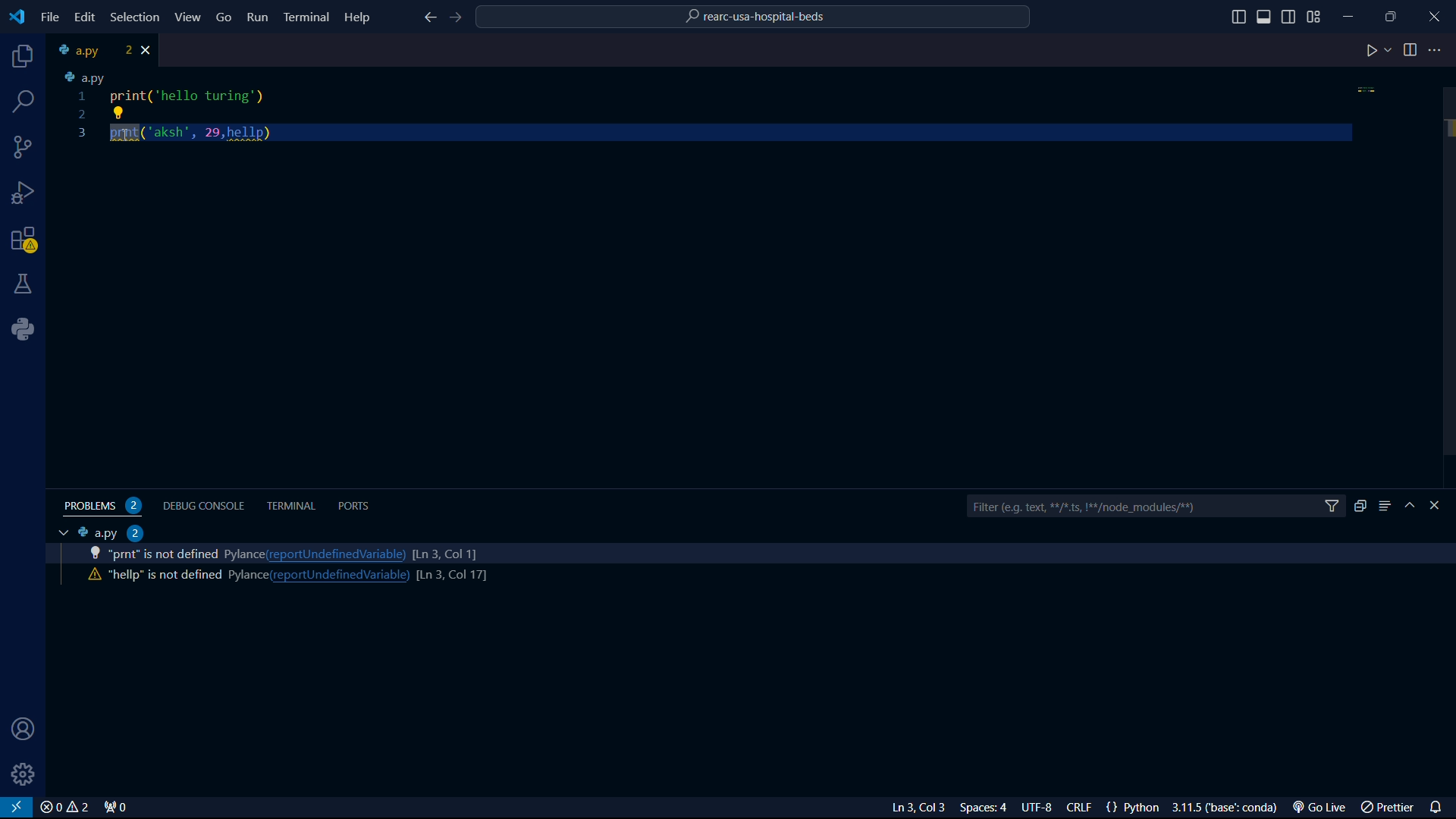 The image size is (1456, 819). Describe the element at coordinates (755, 19) in the screenshot. I see `rearc-usa-hospital-beds` at that location.